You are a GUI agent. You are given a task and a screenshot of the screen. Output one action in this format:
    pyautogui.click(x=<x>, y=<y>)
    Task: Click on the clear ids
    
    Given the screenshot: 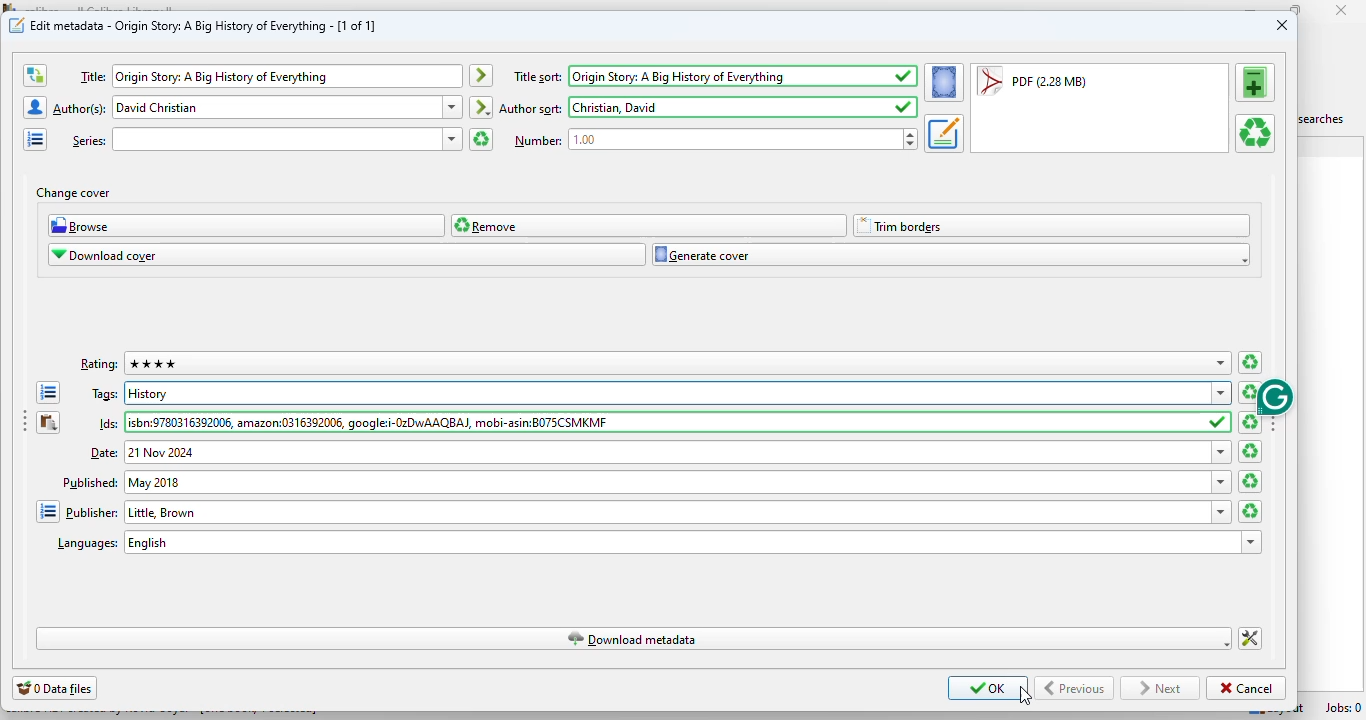 What is the action you would take?
    pyautogui.click(x=1250, y=422)
    